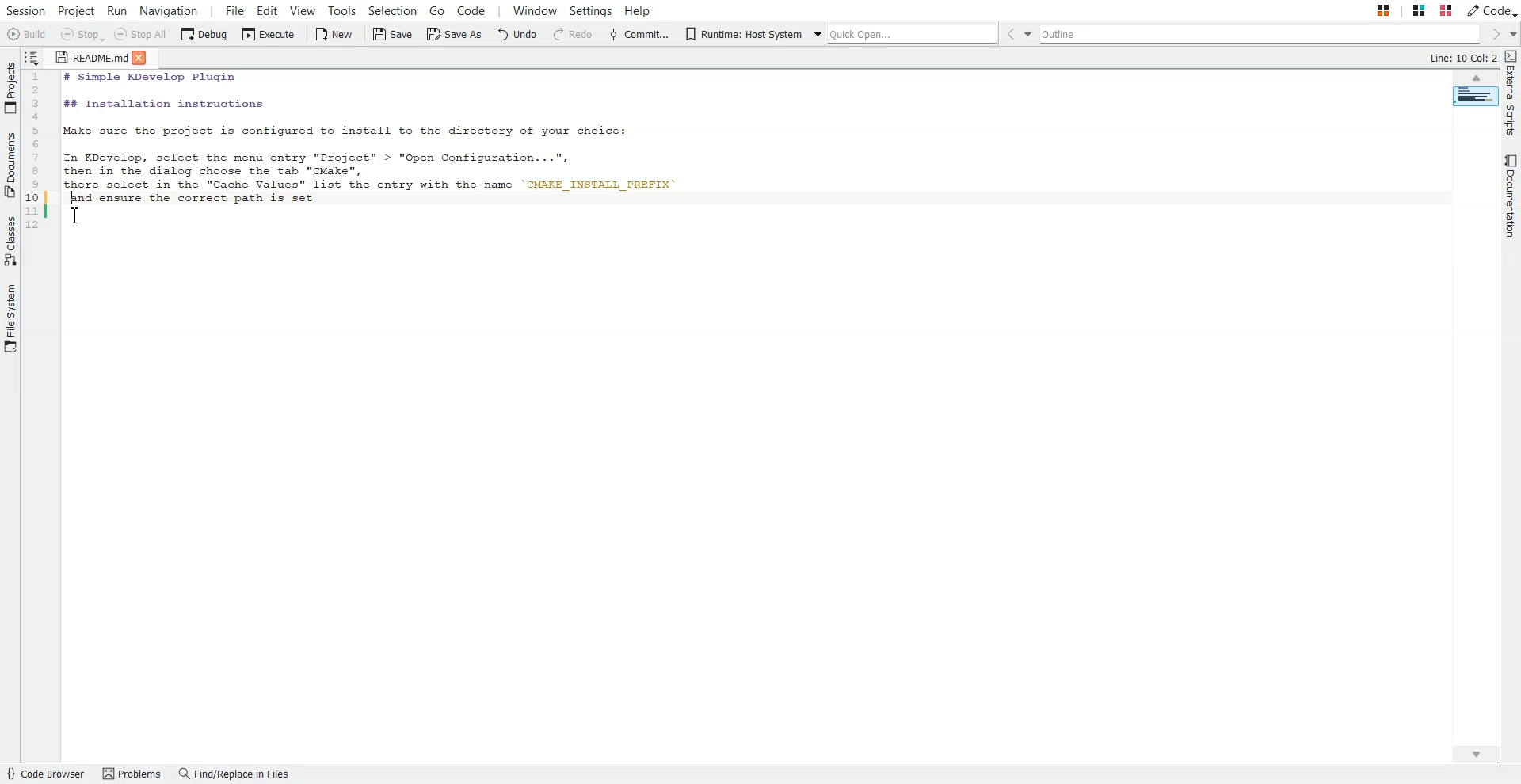 The image size is (1521, 784). What do you see at coordinates (143, 59) in the screenshot?
I see `Close` at bounding box center [143, 59].